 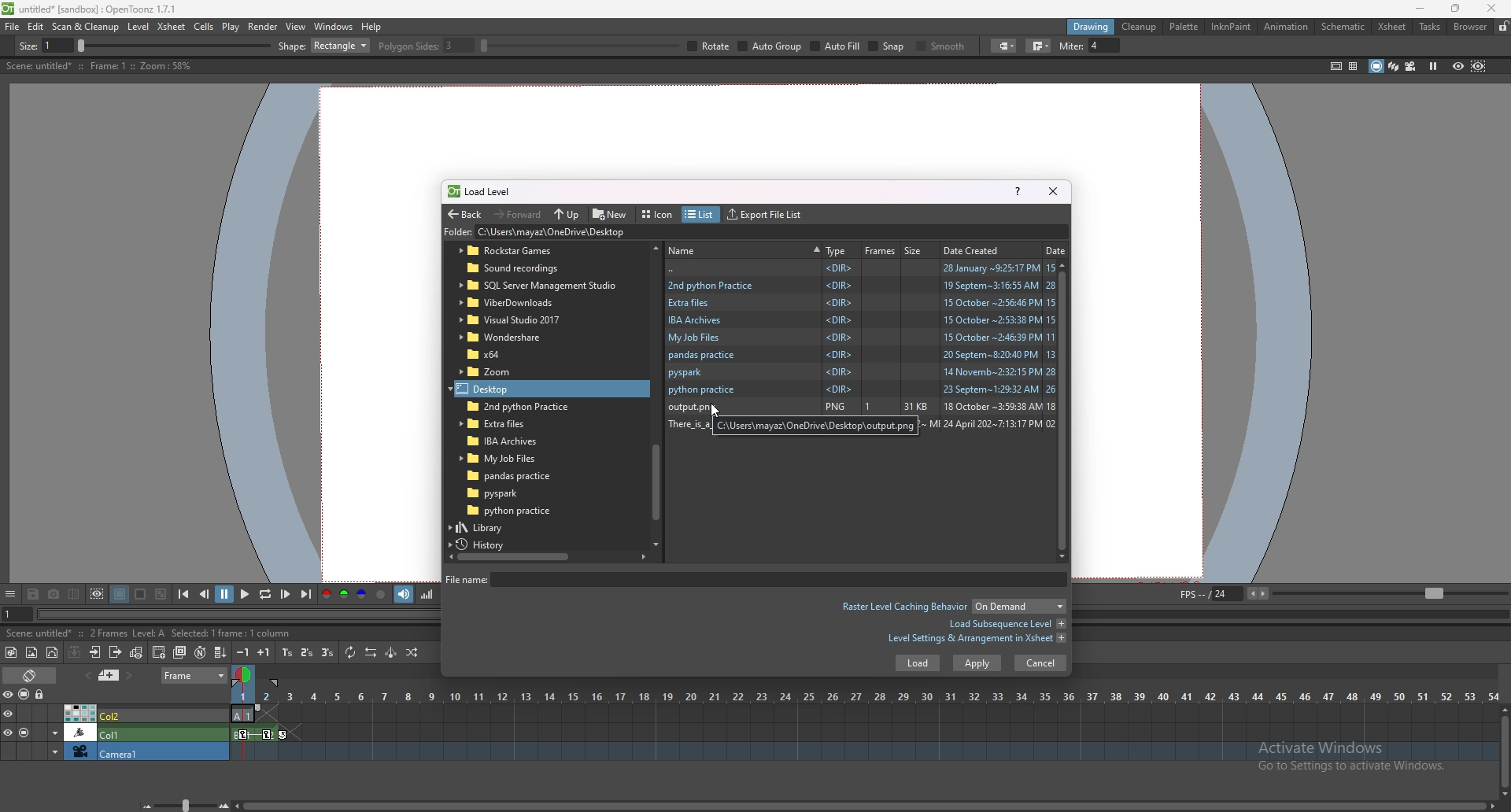 What do you see at coordinates (349, 652) in the screenshot?
I see `repeat` at bounding box center [349, 652].